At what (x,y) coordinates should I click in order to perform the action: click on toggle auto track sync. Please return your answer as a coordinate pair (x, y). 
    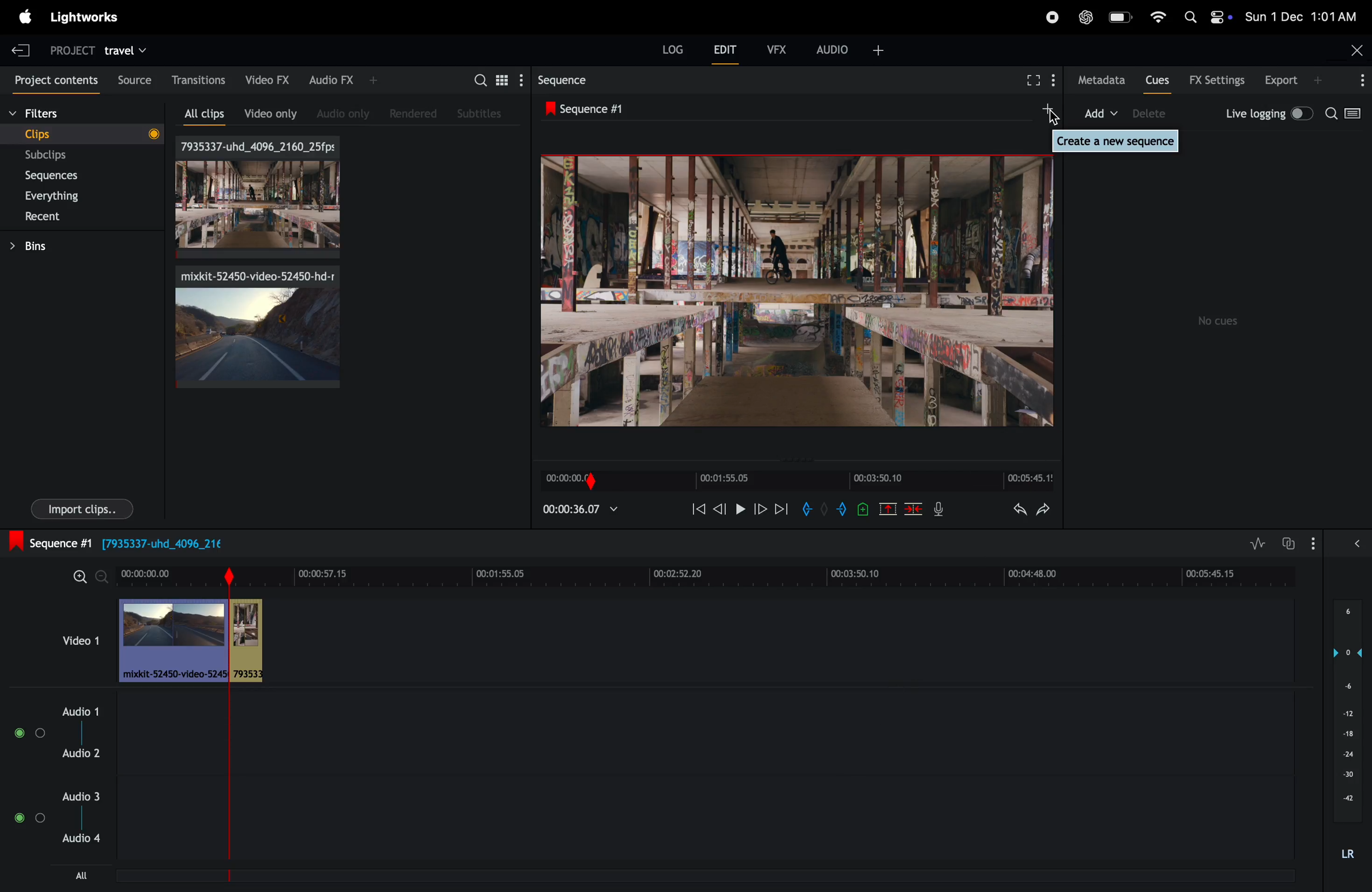
    Looking at the image, I should click on (1289, 542).